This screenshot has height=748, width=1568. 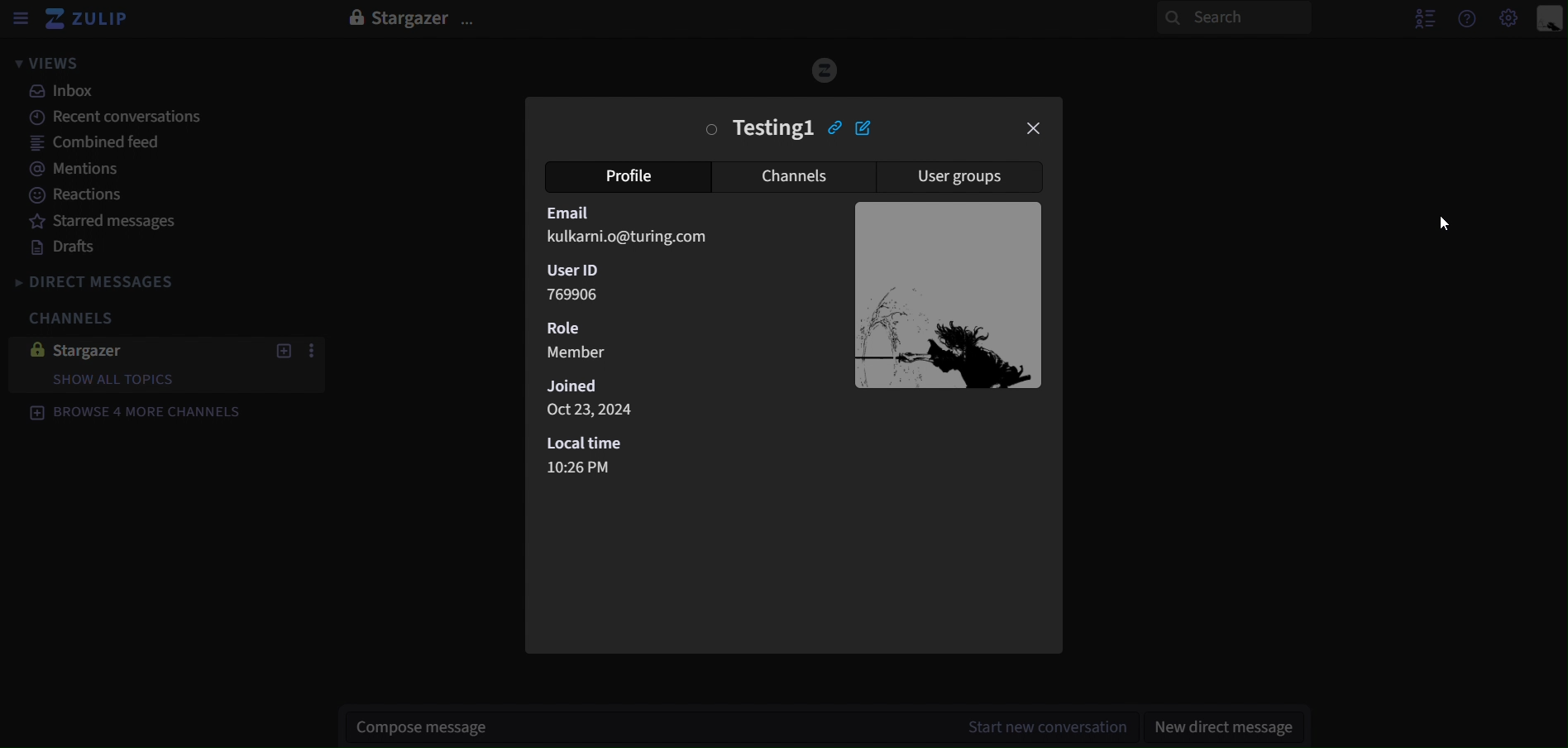 I want to click on starred messages, so click(x=111, y=221).